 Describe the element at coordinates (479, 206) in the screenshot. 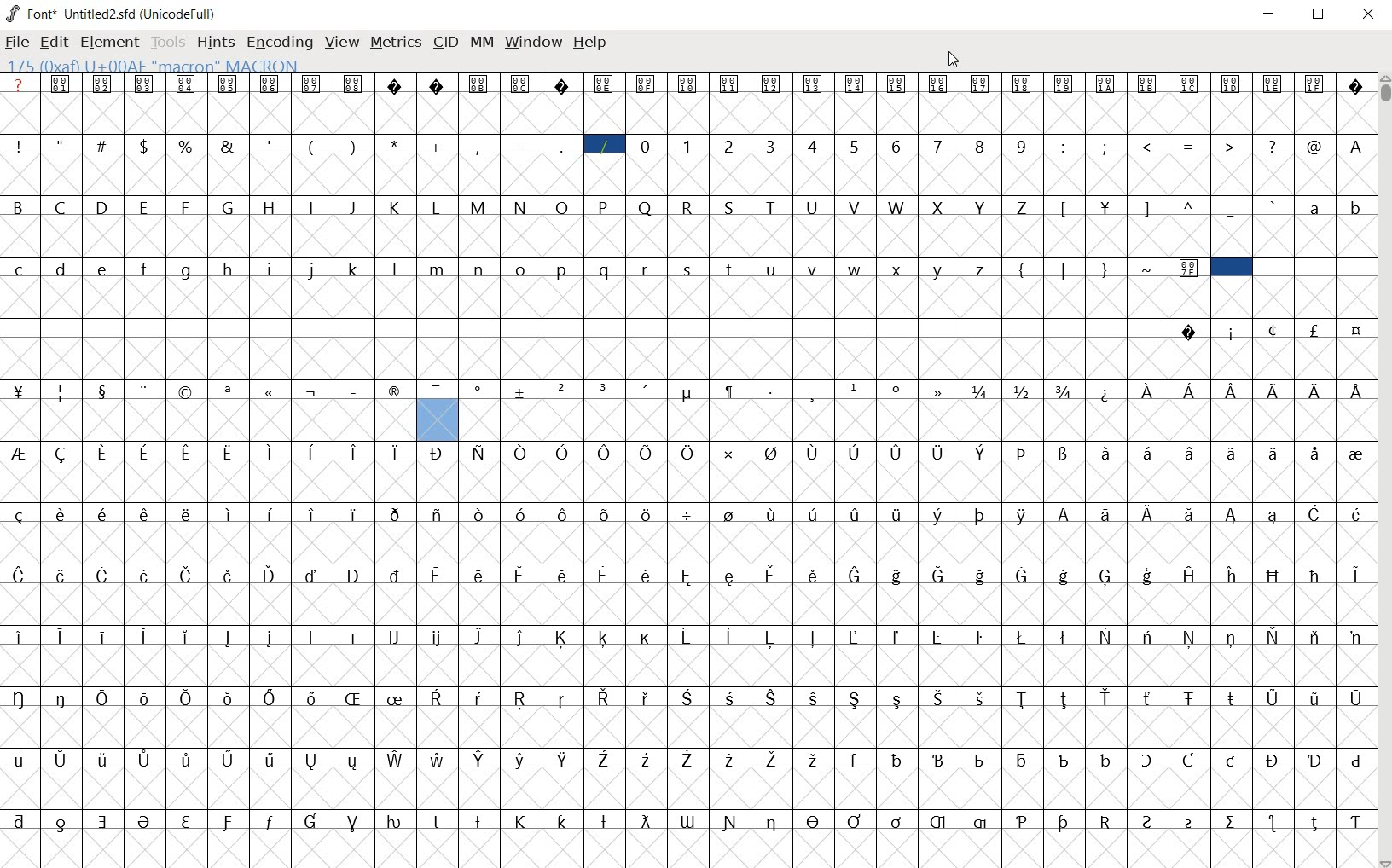

I see `M` at that location.